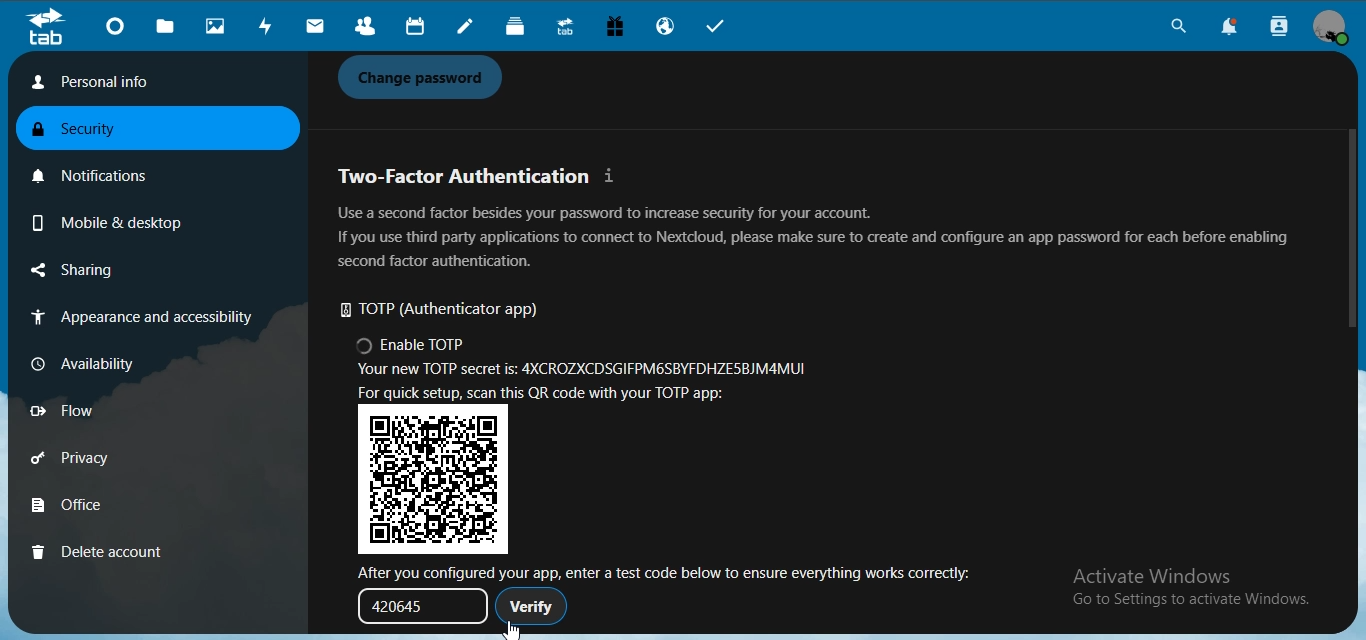 Image resolution: width=1366 pixels, height=640 pixels. What do you see at coordinates (98, 551) in the screenshot?
I see `delete account` at bounding box center [98, 551].